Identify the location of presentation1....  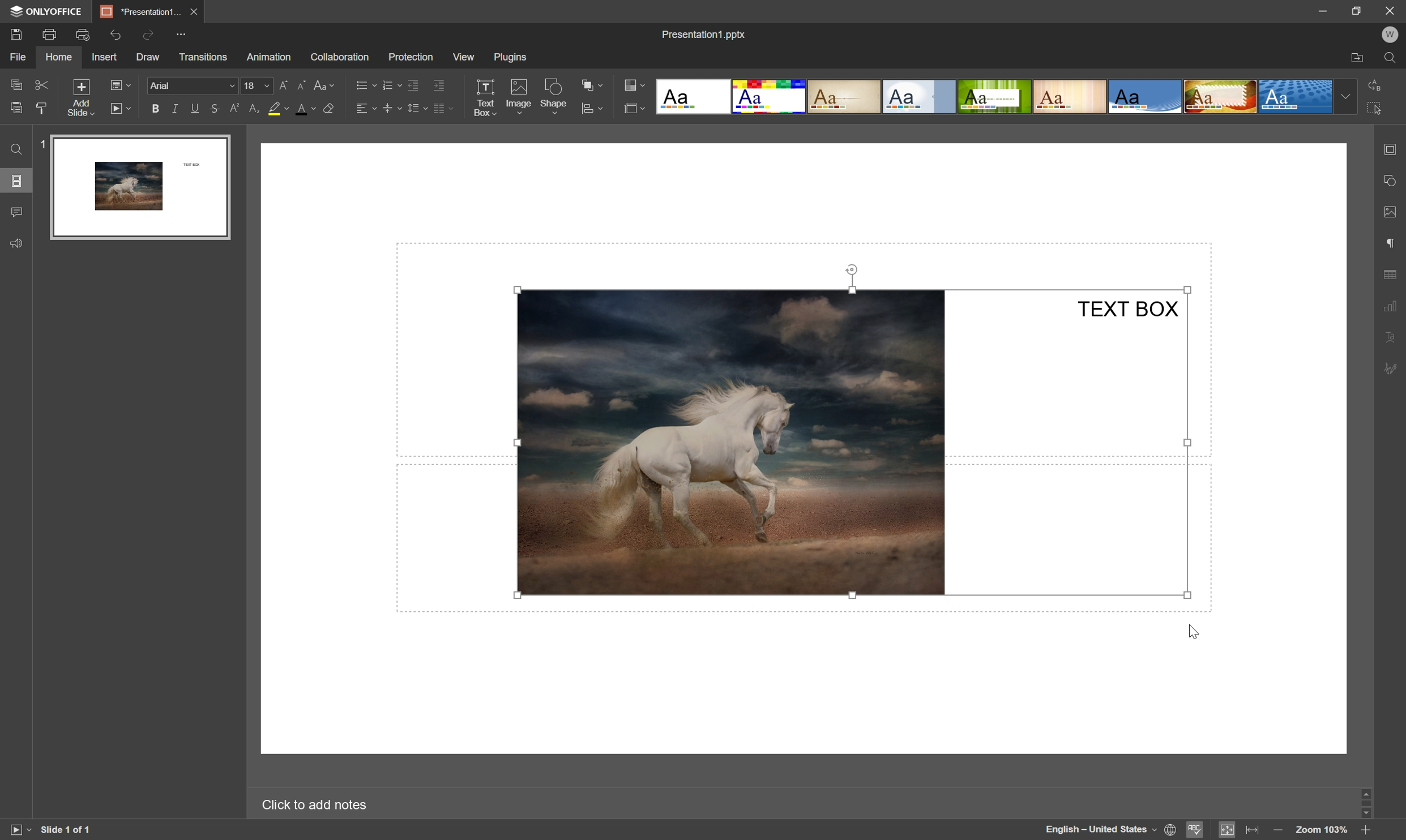
(139, 10).